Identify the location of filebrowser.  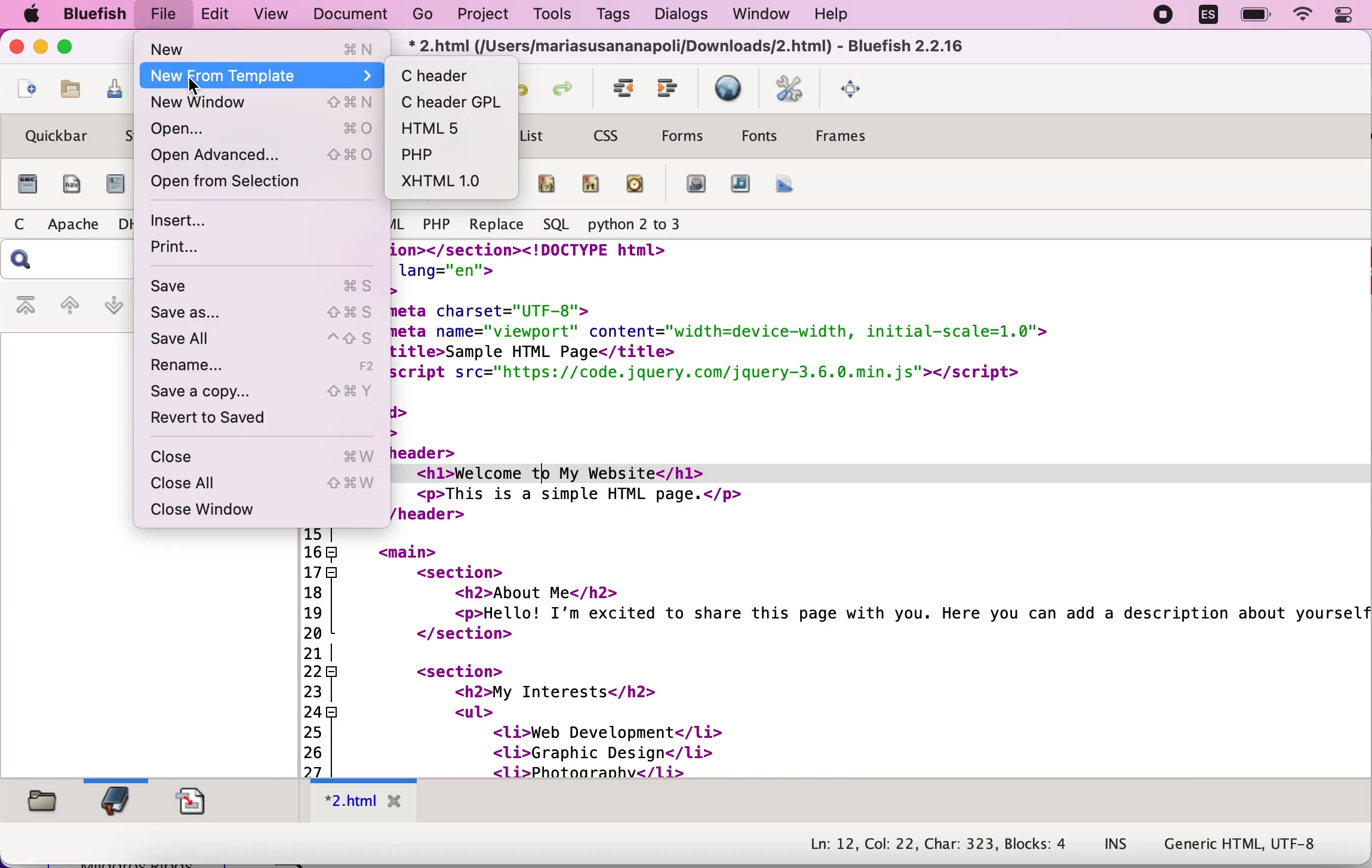
(47, 807).